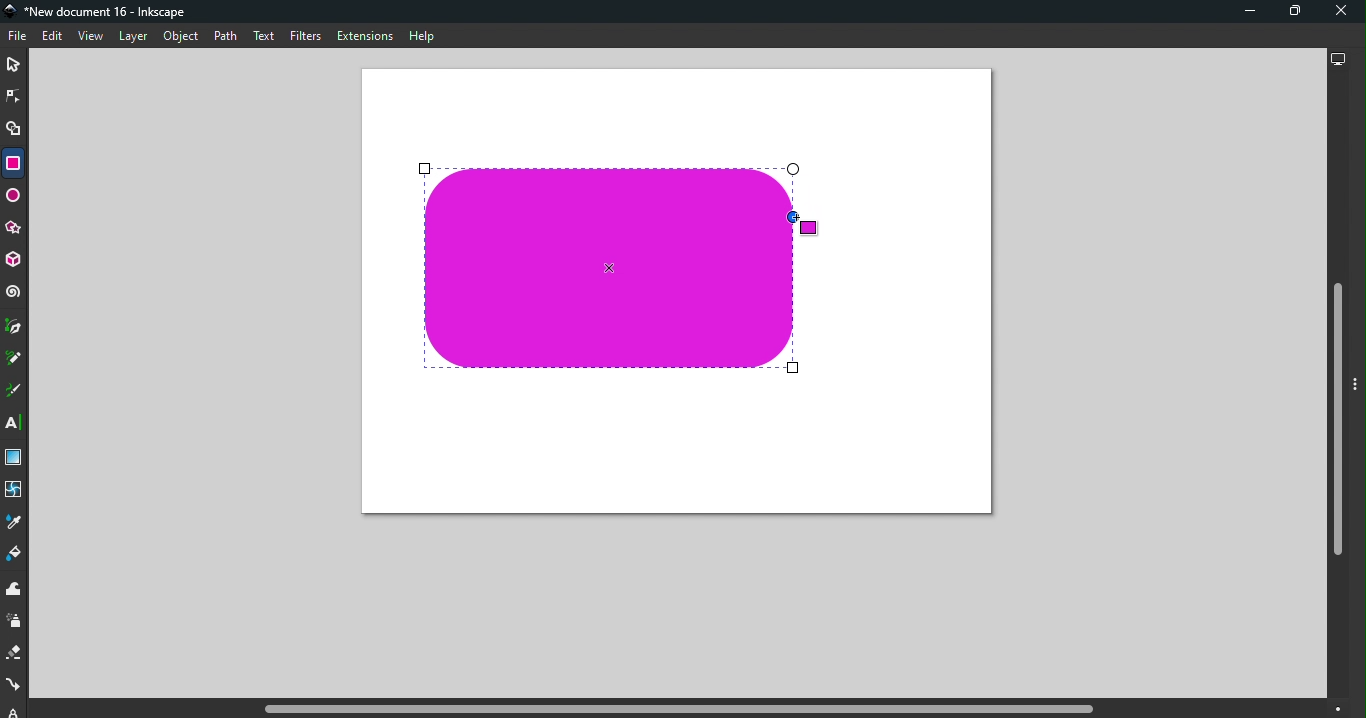  Describe the element at coordinates (12, 163) in the screenshot. I see `Rectangle tool` at that location.